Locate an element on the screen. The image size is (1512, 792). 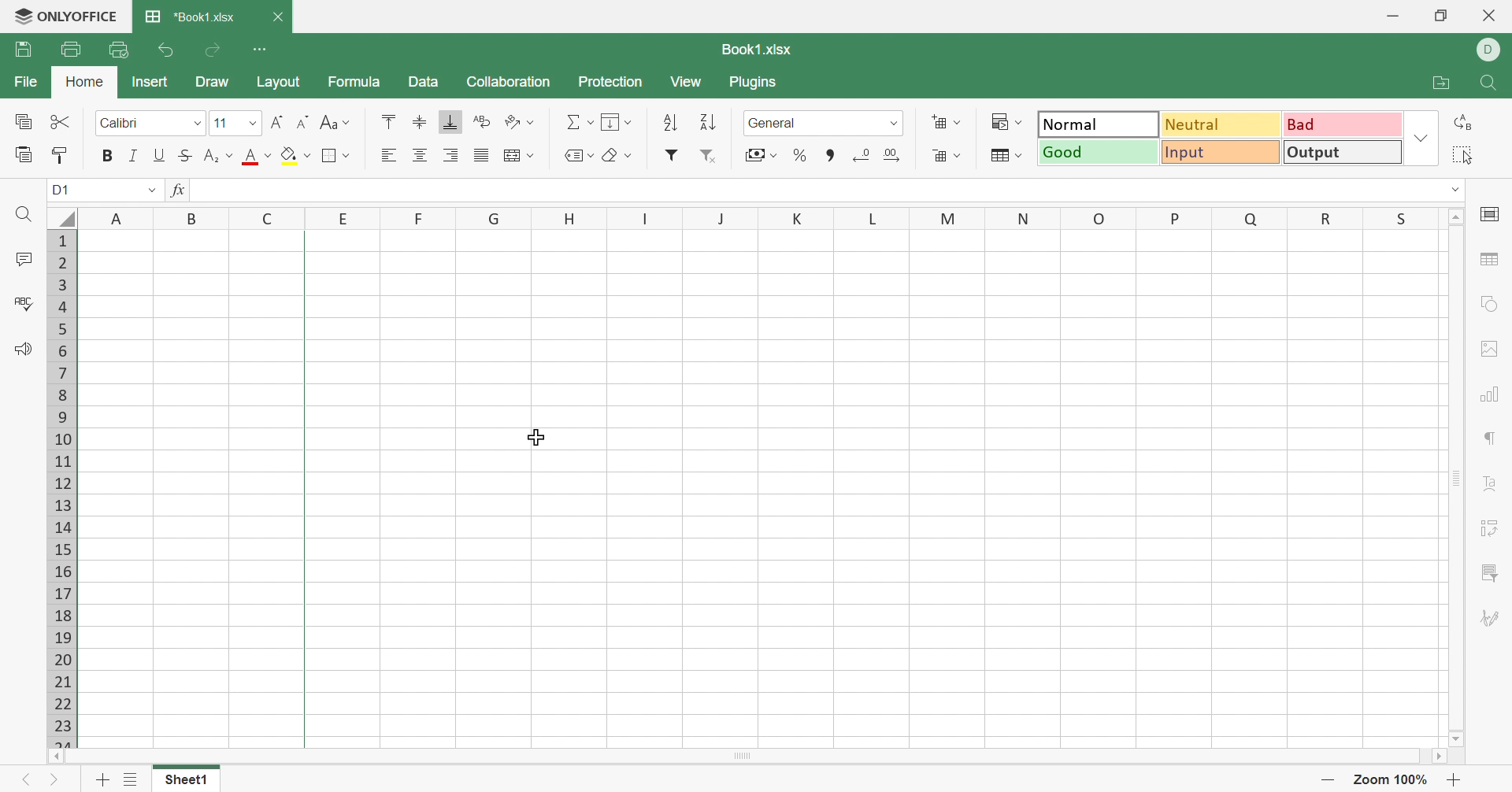
Zoom out is located at coordinates (1328, 779).